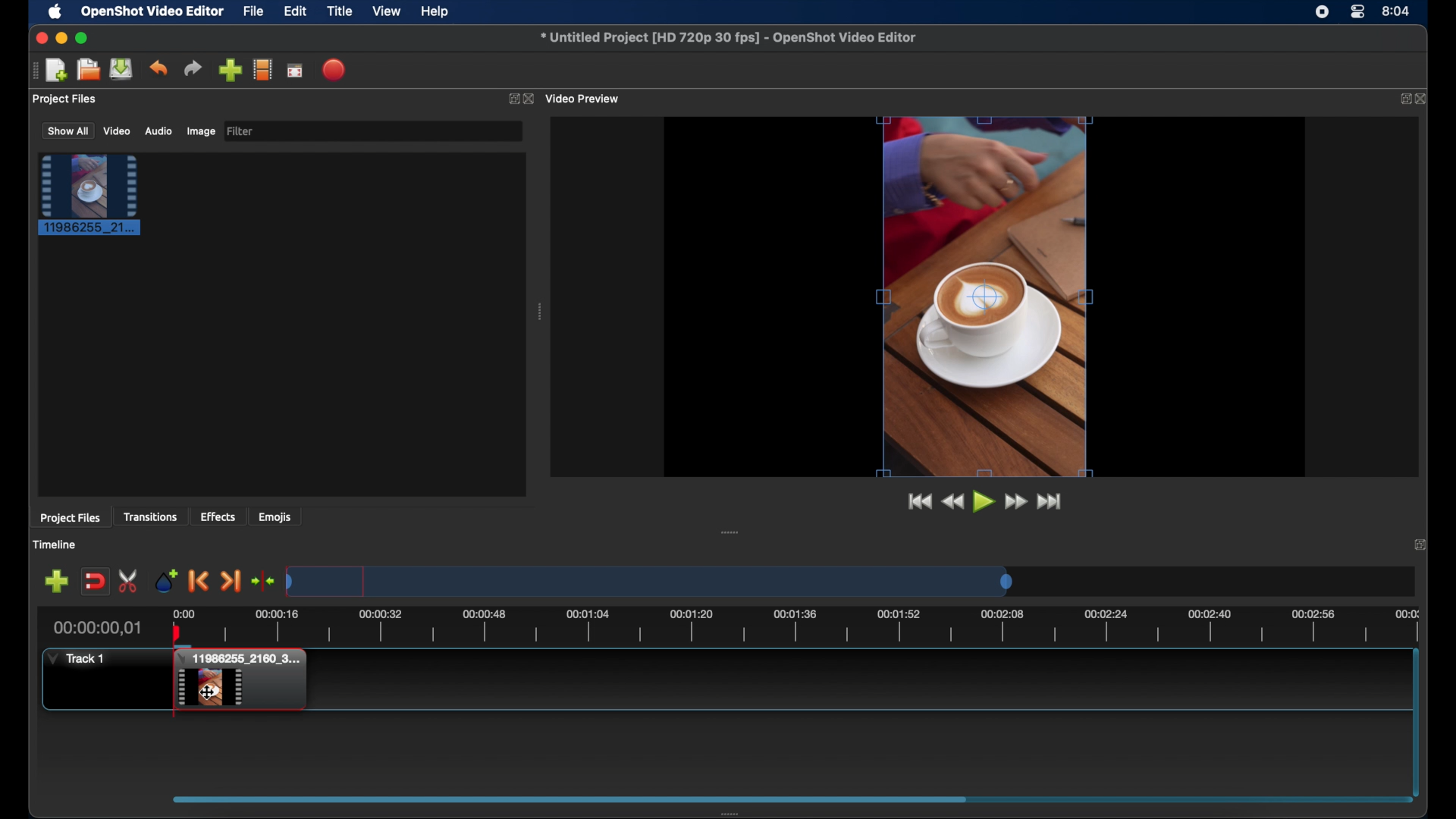 This screenshot has width=1456, height=819. I want to click on timeline scale, so click(649, 583).